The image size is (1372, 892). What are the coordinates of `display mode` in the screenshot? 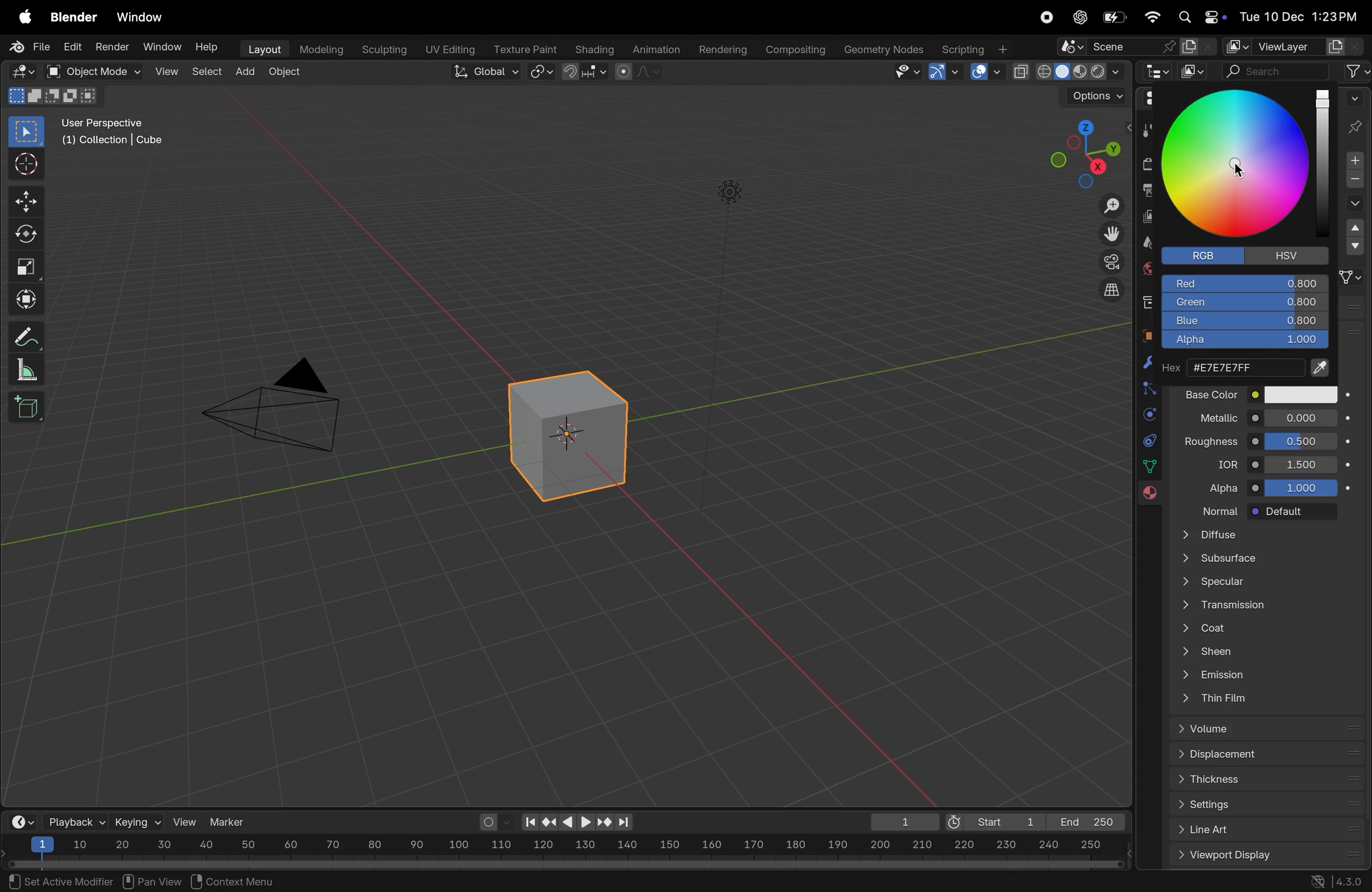 It's located at (1194, 71).